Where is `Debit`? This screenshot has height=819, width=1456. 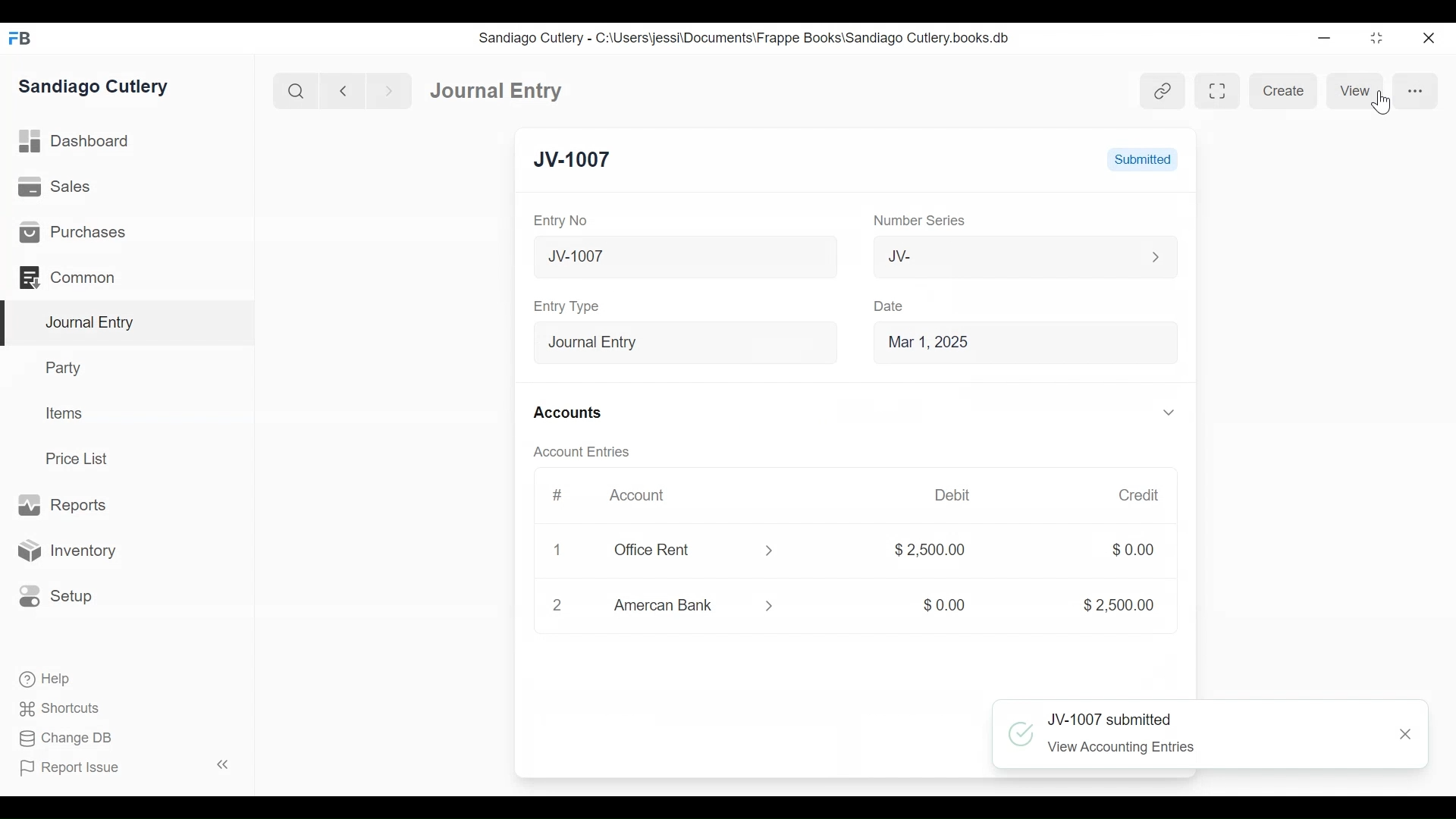 Debit is located at coordinates (948, 495).